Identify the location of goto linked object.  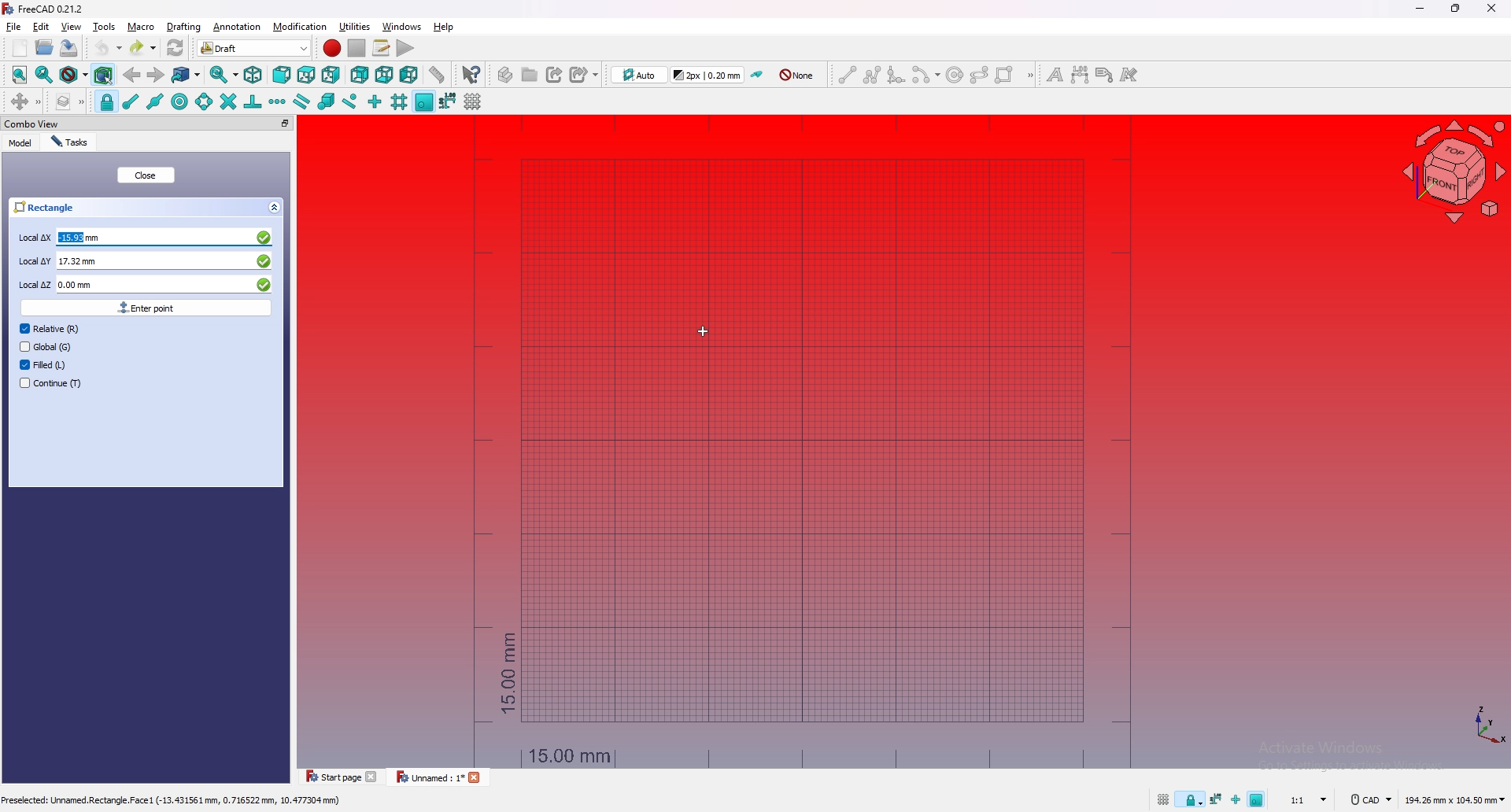
(187, 76).